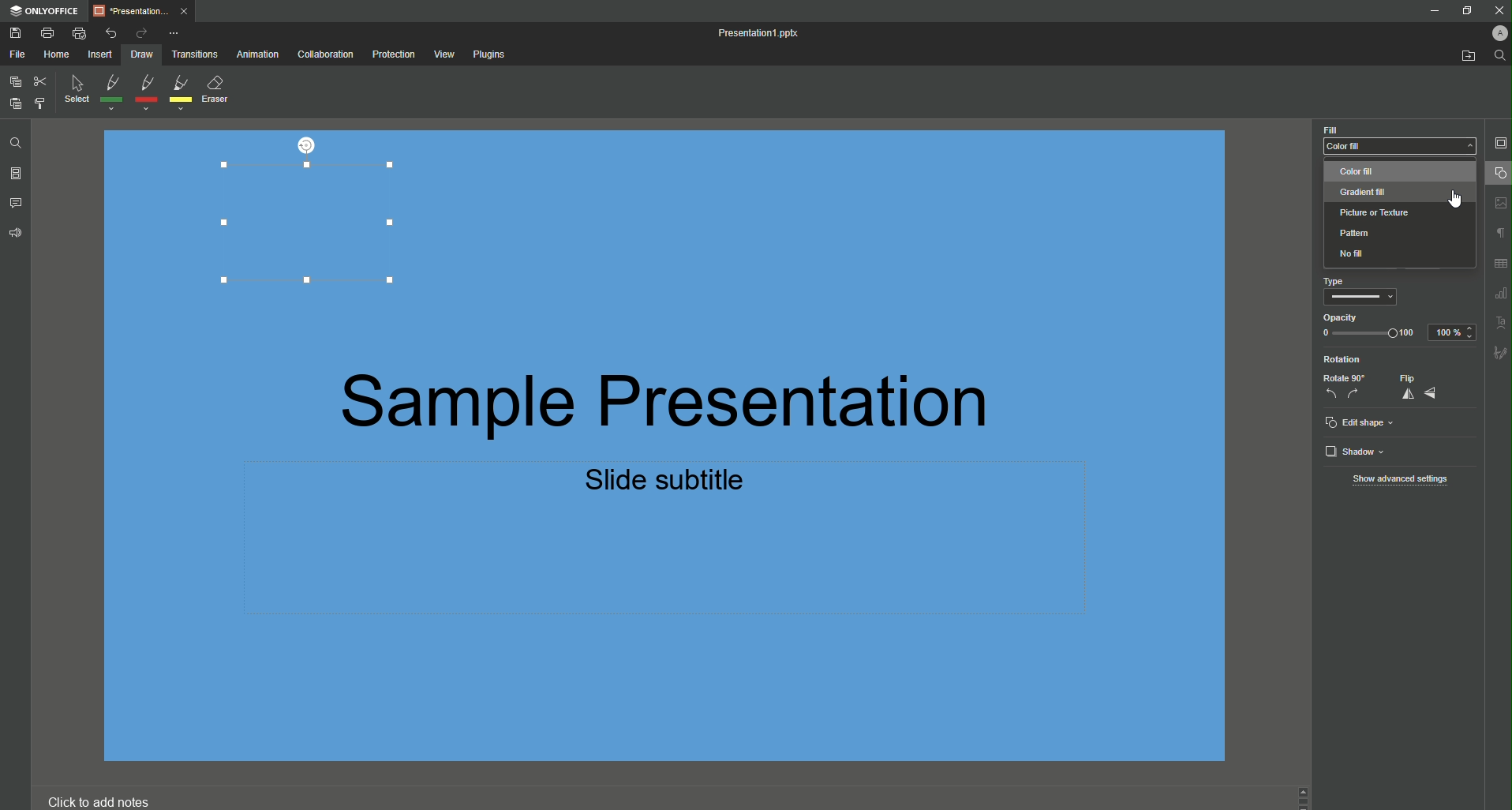 This screenshot has width=1512, height=810. I want to click on Draw, so click(141, 56).